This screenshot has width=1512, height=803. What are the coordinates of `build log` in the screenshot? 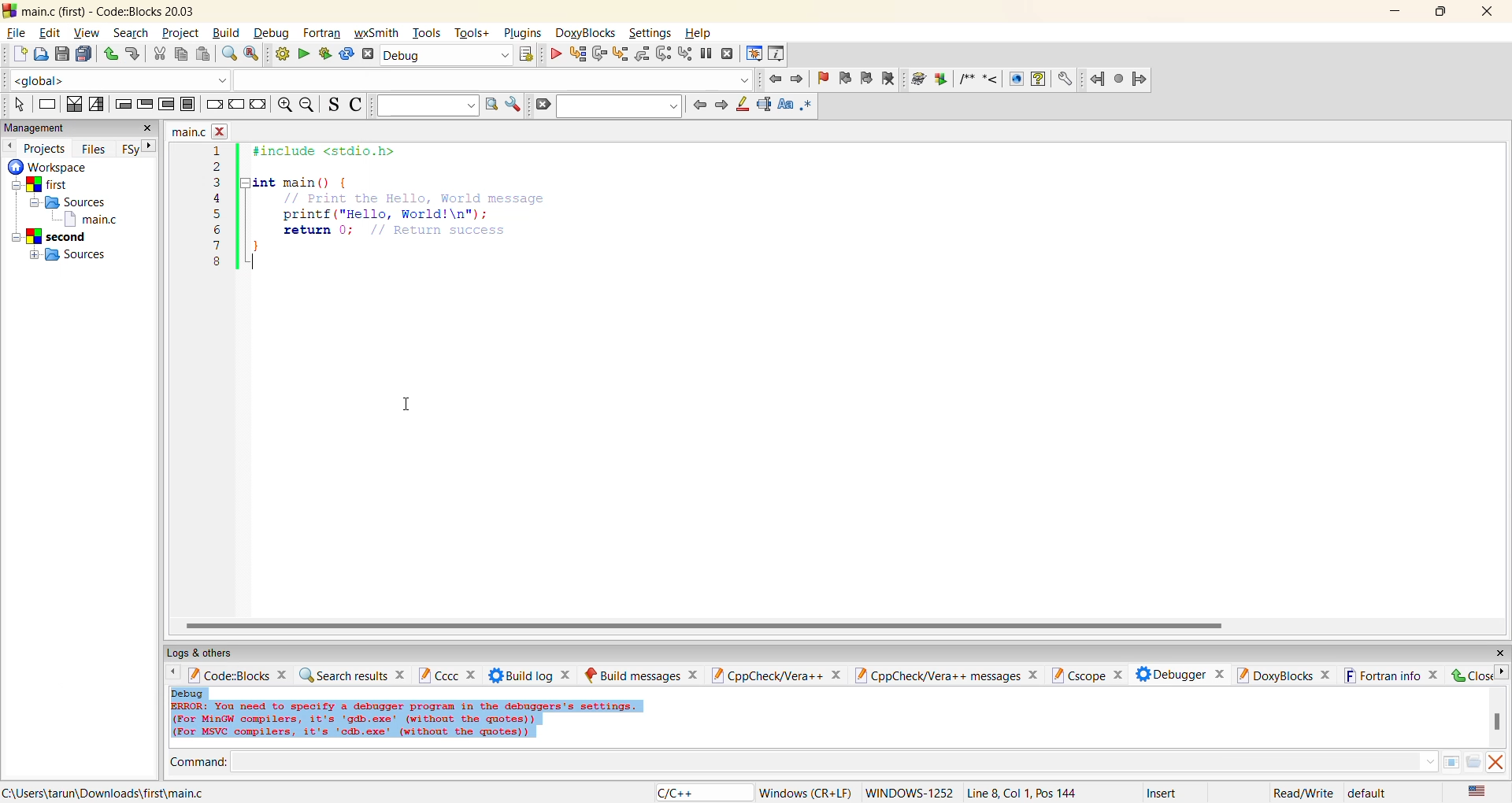 It's located at (532, 676).